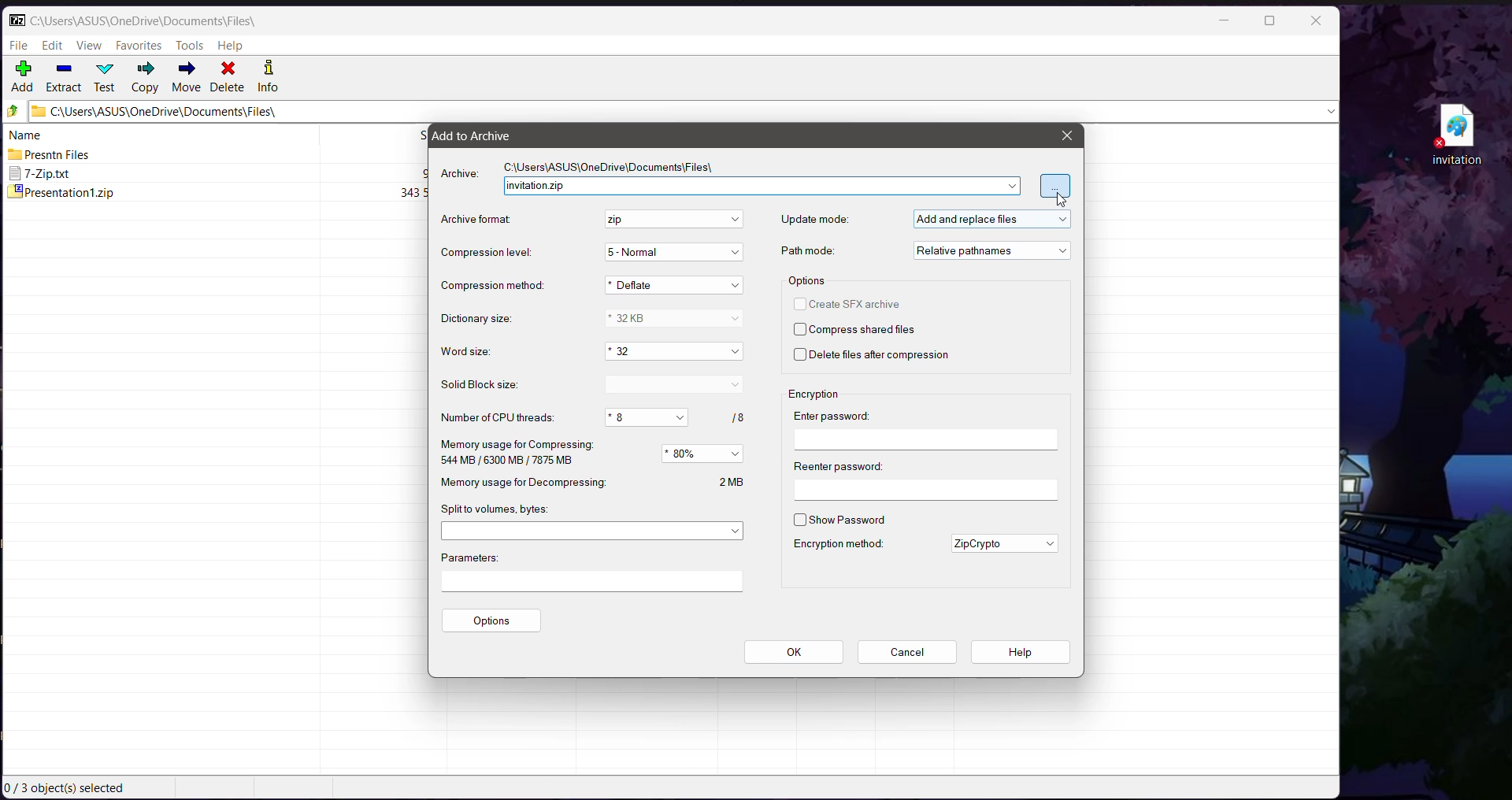 The height and width of the screenshot is (800, 1512). Describe the element at coordinates (809, 280) in the screenshot. I see `Options` at that location.